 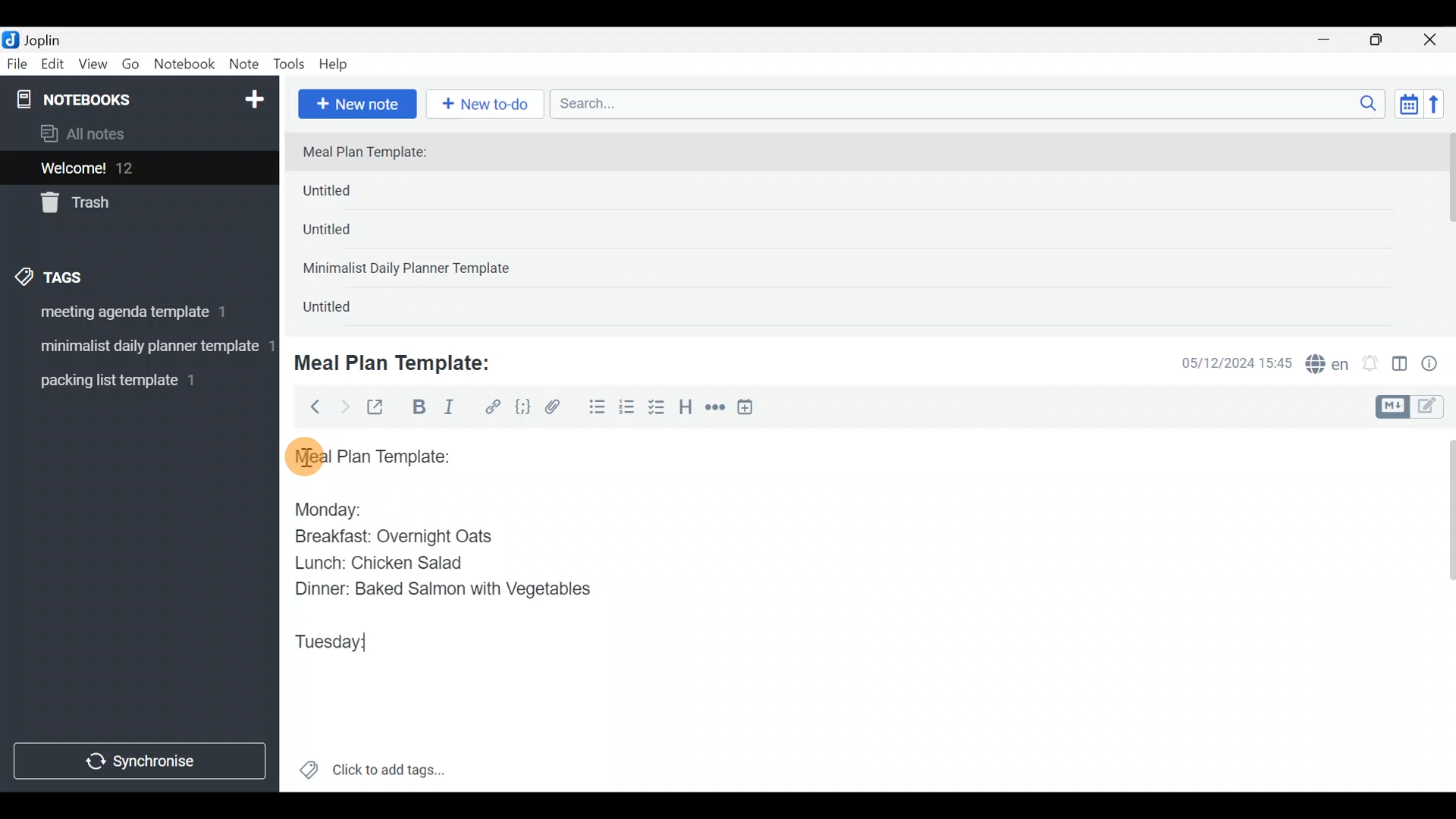 What do you see at coordinates (1408, 105) in the screenshot?
I see `Toggle sort order` at bounding box center [1408, 105].